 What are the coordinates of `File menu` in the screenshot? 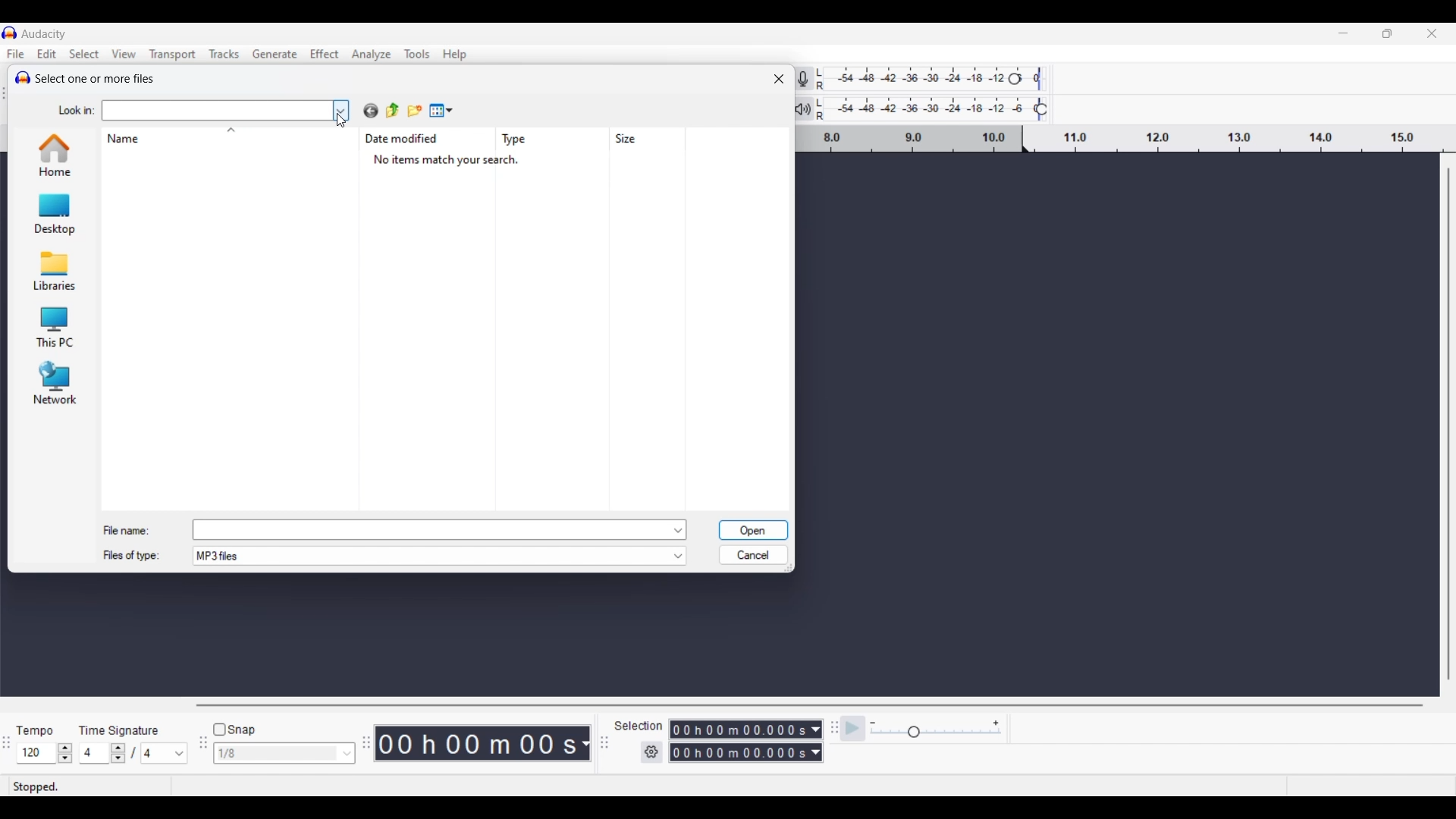 It's located at (16, 54).